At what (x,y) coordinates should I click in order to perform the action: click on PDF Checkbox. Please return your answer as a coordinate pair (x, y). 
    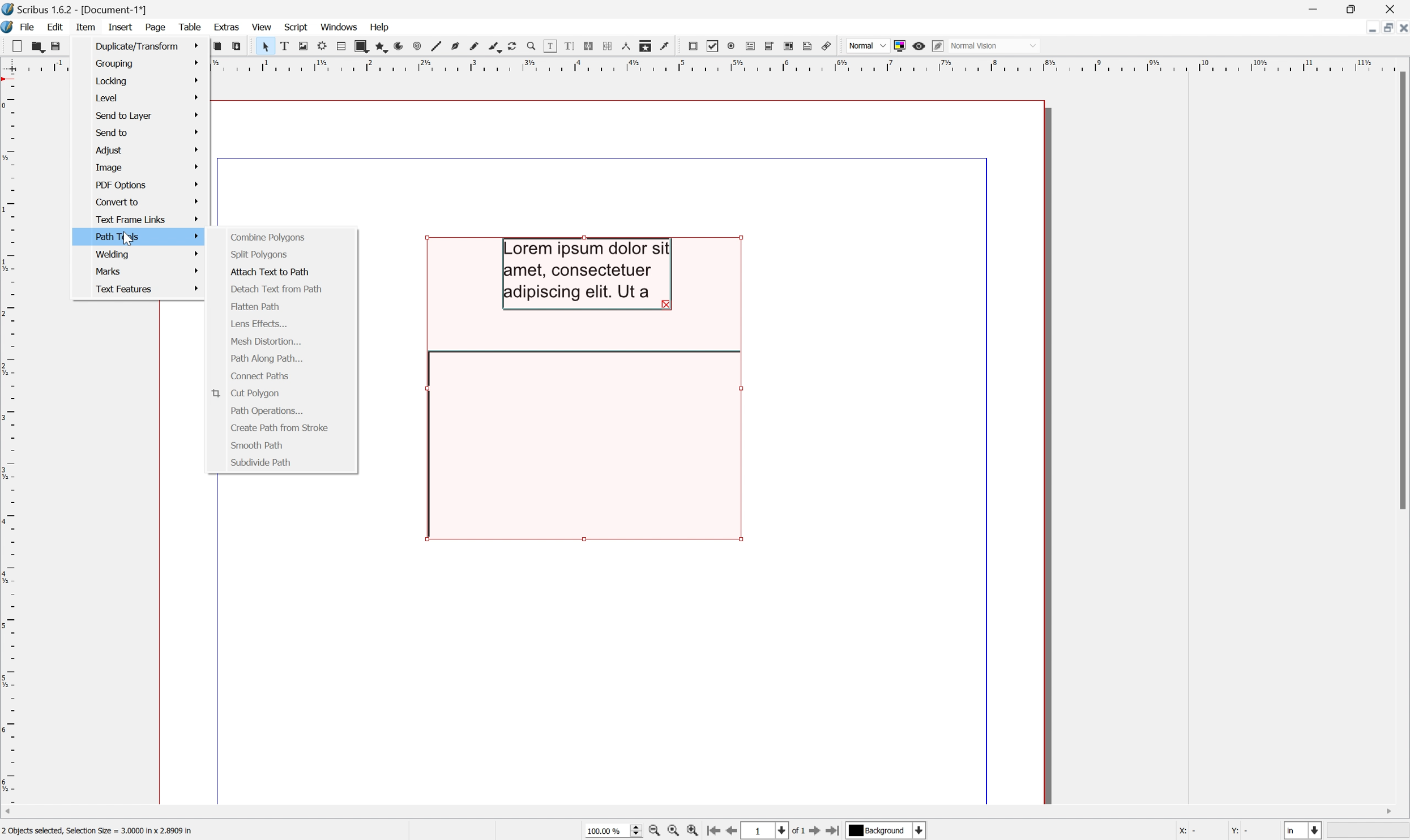
    Looking at the image, I should click on (713, 46).